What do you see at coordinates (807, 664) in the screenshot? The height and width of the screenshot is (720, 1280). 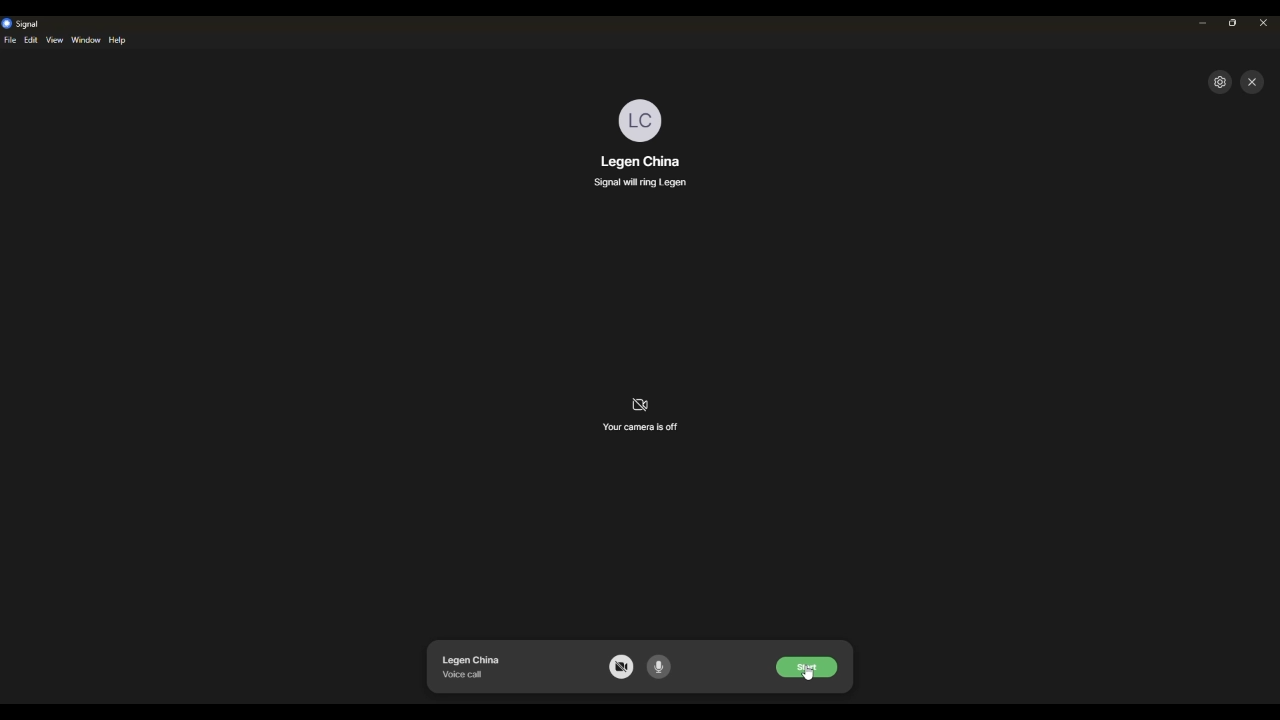 I see `start` at bounding box center [807, 664].